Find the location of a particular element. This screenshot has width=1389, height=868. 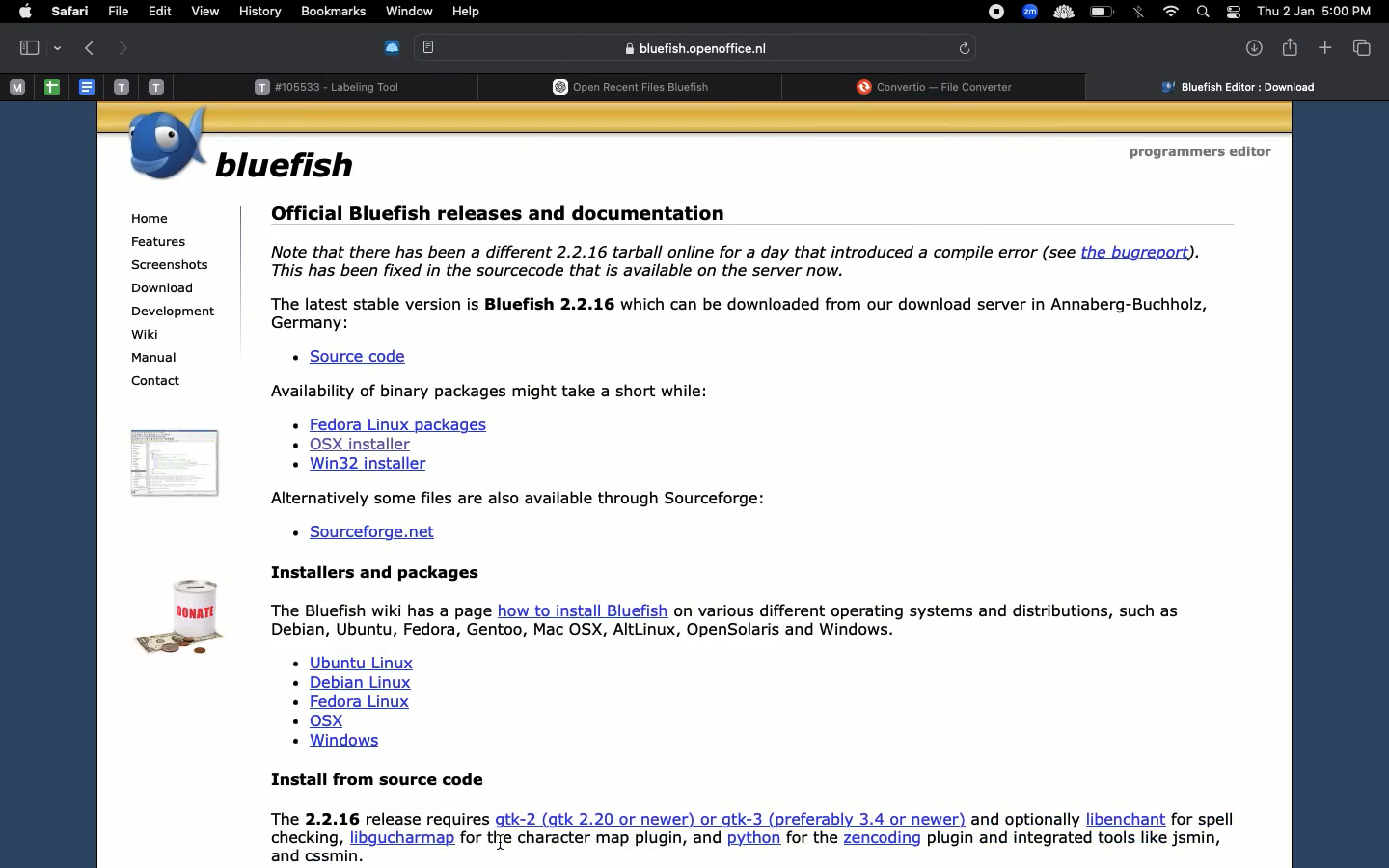

alternatively some files are also available  is located at coordinates (519, 497).